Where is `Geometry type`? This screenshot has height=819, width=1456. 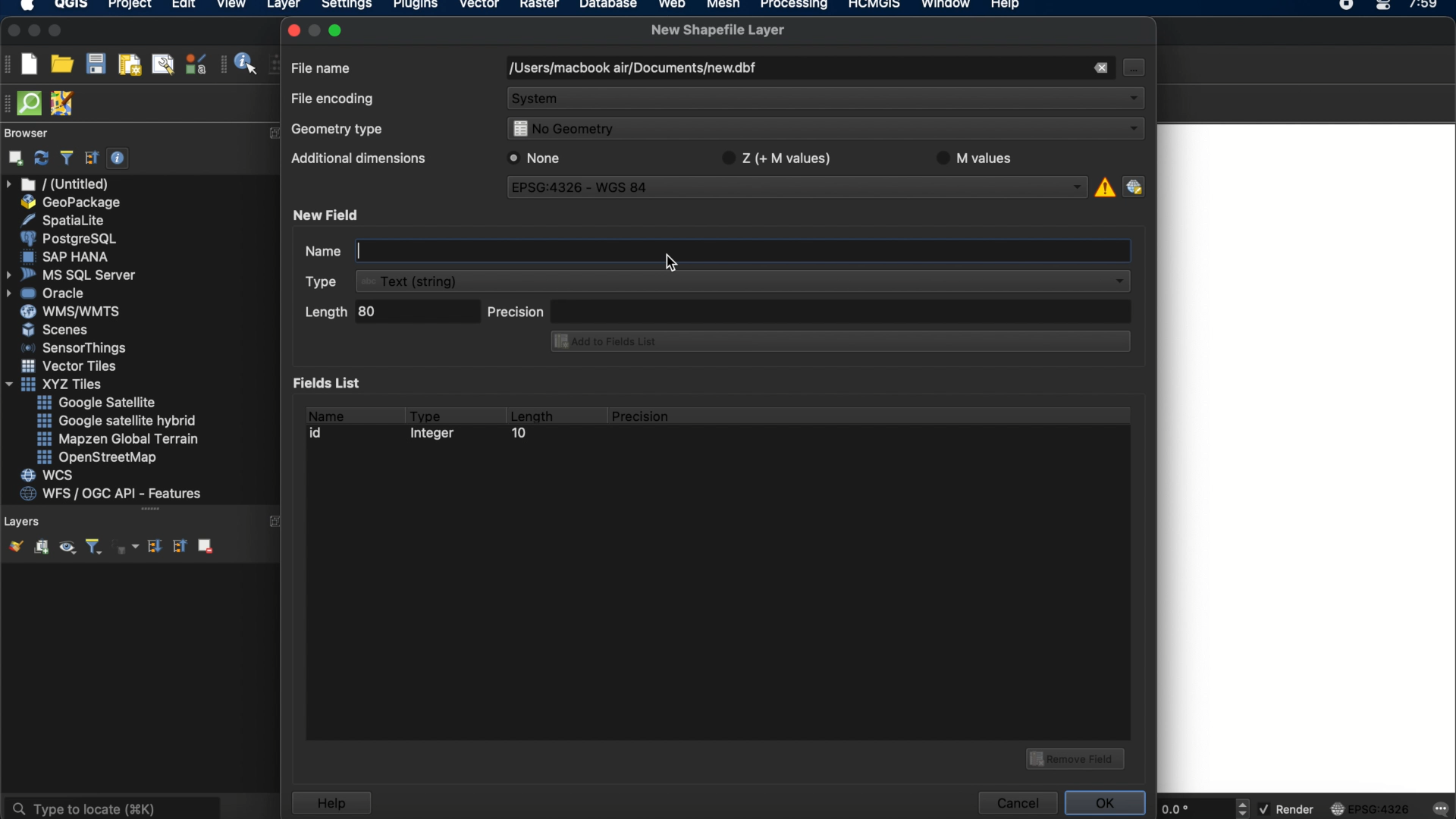 Geometry type is located at coordinates (342, 131).